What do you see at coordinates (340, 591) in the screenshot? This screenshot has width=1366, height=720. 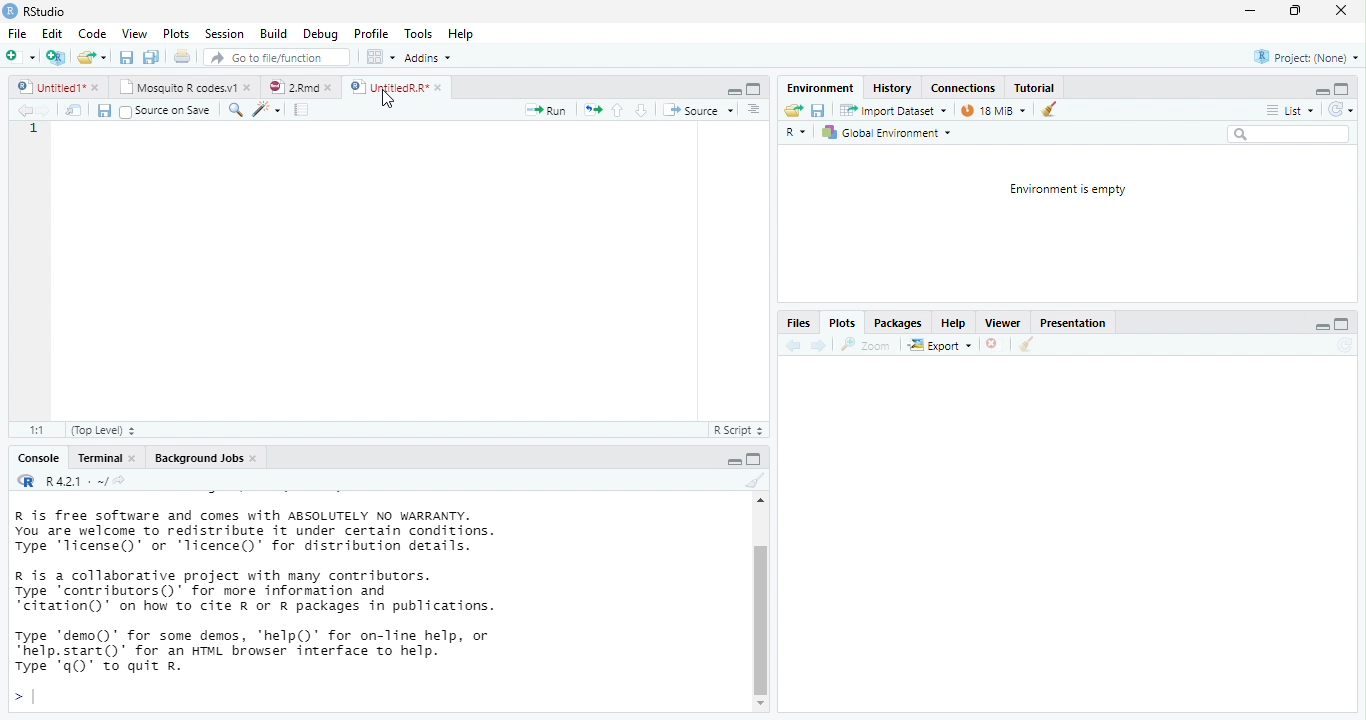 I see `R is free software and comes with ABSOLUTELY NO WARRANTY.
You are welcome to redistribute it under certain conditions.
Type 'Ticense()' or "Ticence()' for distribution details.

R is a collaborative project with many contributors.

Type contributors()’ for more information and

“citation()’ on how to cite R or R packages in publications.
Type "demo()’ for some demos, 'help()’ for on-Tine help, or
*help.start()’ for an HTML browser interface to help.

Type 'q()’ to quit R.` at bounding box center [340, 591].